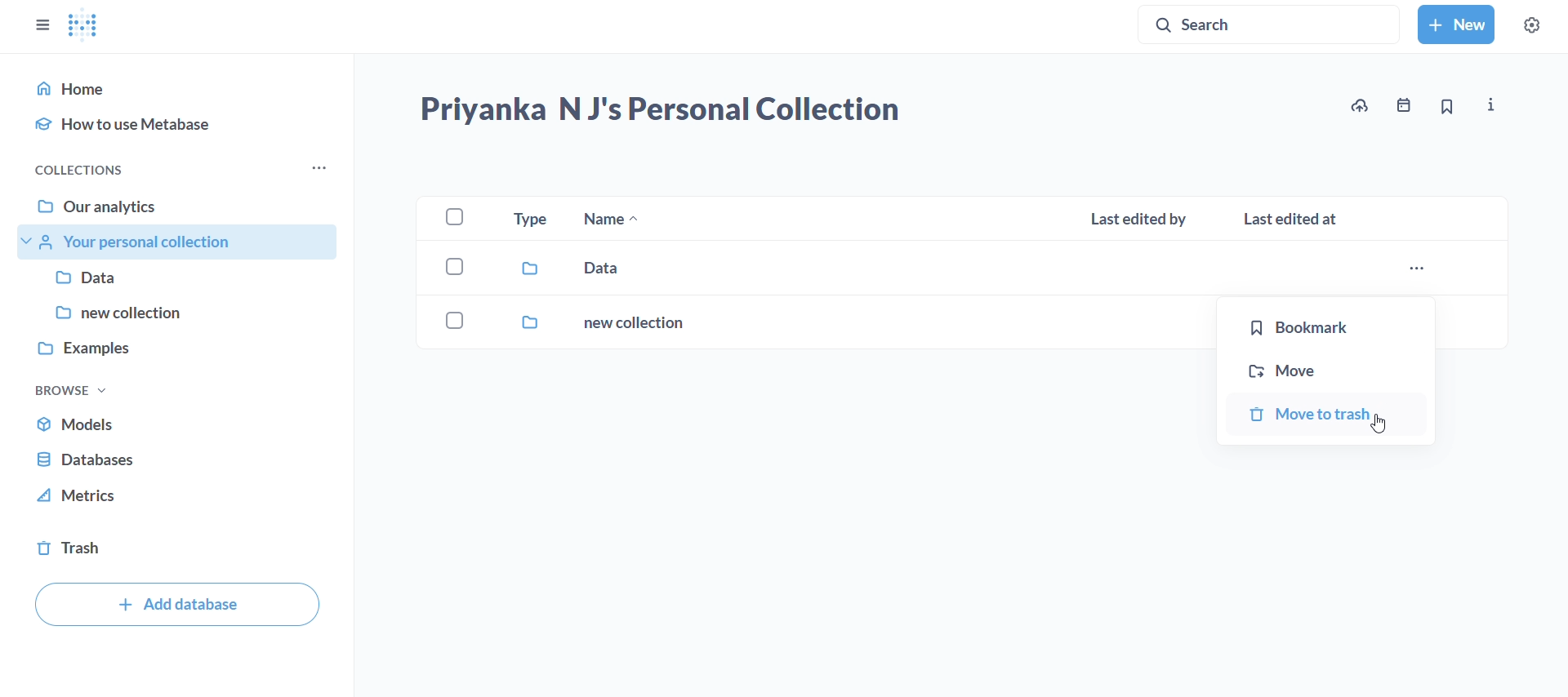 The height and width of the screenshot is (697, 1568). I want to click on bookmark, so click(1325, 321).